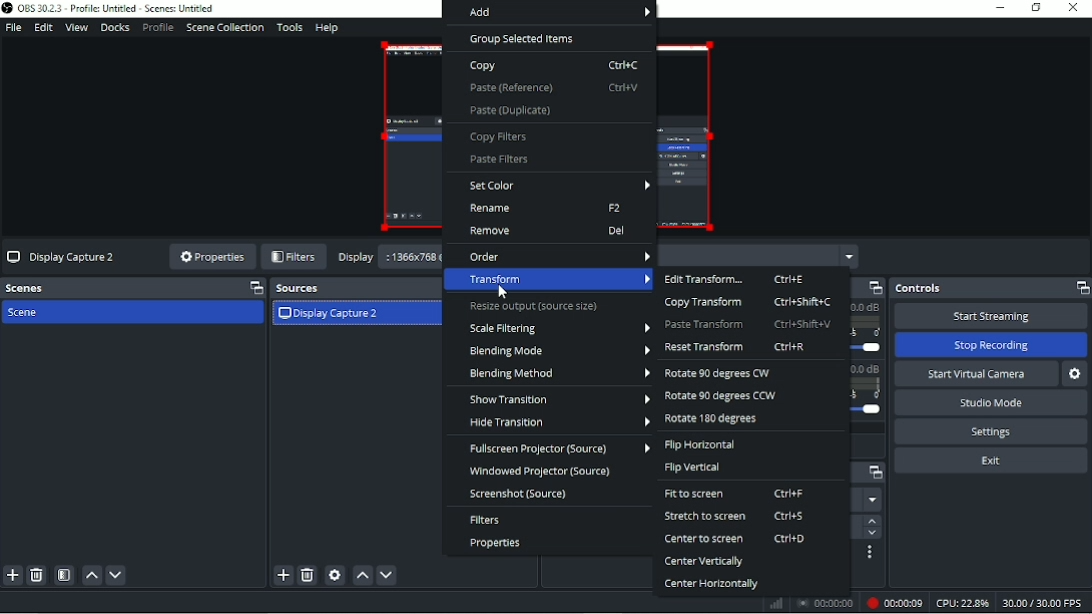  What do you see at coordinates (133, 288) in the screenshot?
I see `Scenes` at bounding box center [133, 288].